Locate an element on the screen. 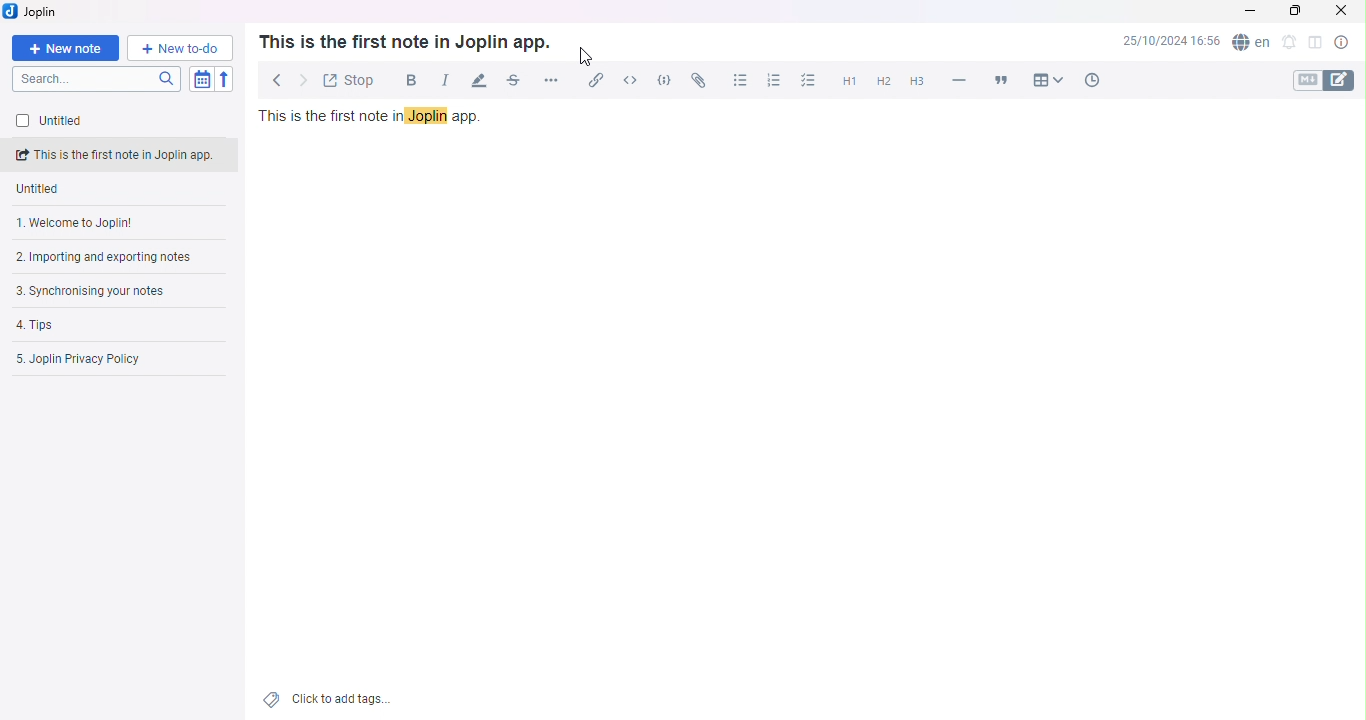 The height and width of the screenshot is (720, 1366). Text in note is located at coordinates (379, 117).